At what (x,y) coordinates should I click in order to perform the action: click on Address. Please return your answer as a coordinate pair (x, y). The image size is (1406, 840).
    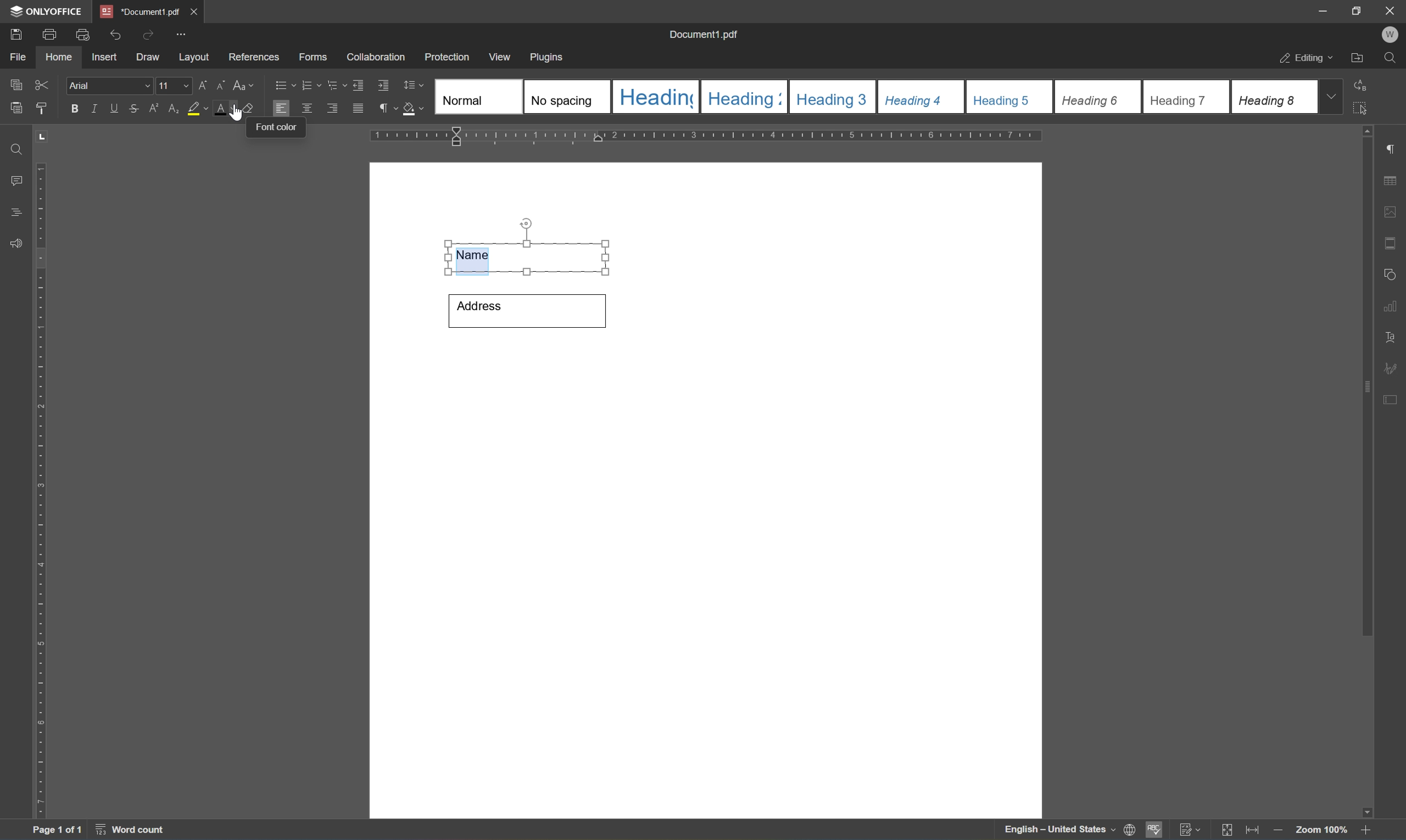
    Looking at the image, I should click on (525, 310).